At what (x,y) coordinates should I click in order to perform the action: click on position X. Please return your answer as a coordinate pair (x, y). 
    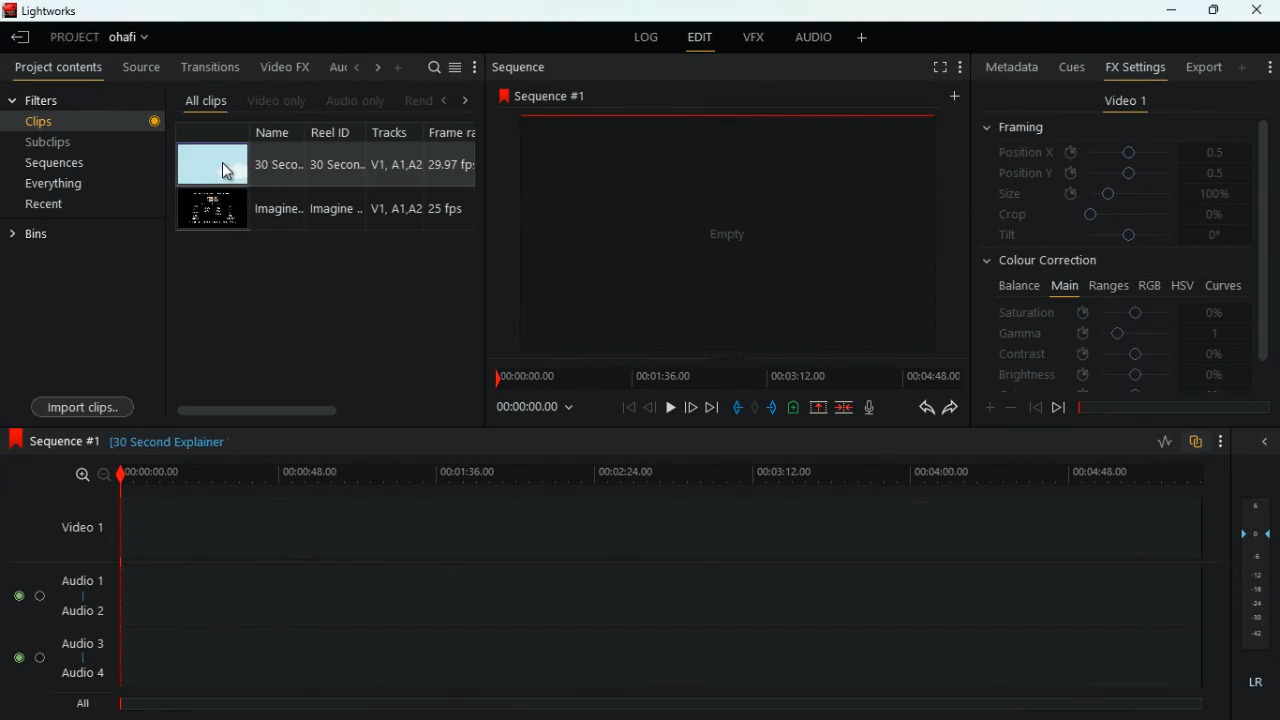
    Looking at the image, I should click on (1109, 153).